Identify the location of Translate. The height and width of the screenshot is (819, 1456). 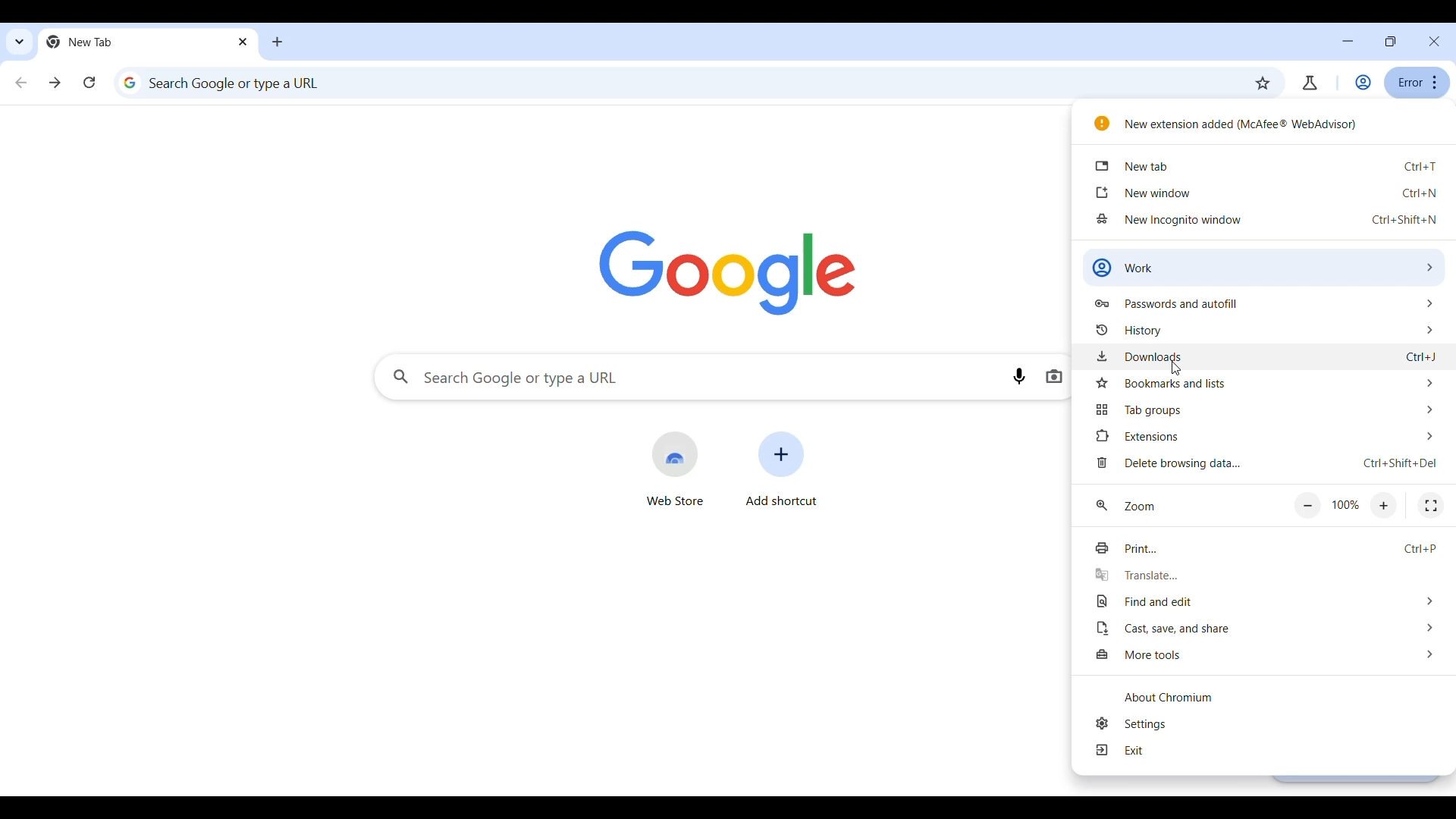
(1265, 576).